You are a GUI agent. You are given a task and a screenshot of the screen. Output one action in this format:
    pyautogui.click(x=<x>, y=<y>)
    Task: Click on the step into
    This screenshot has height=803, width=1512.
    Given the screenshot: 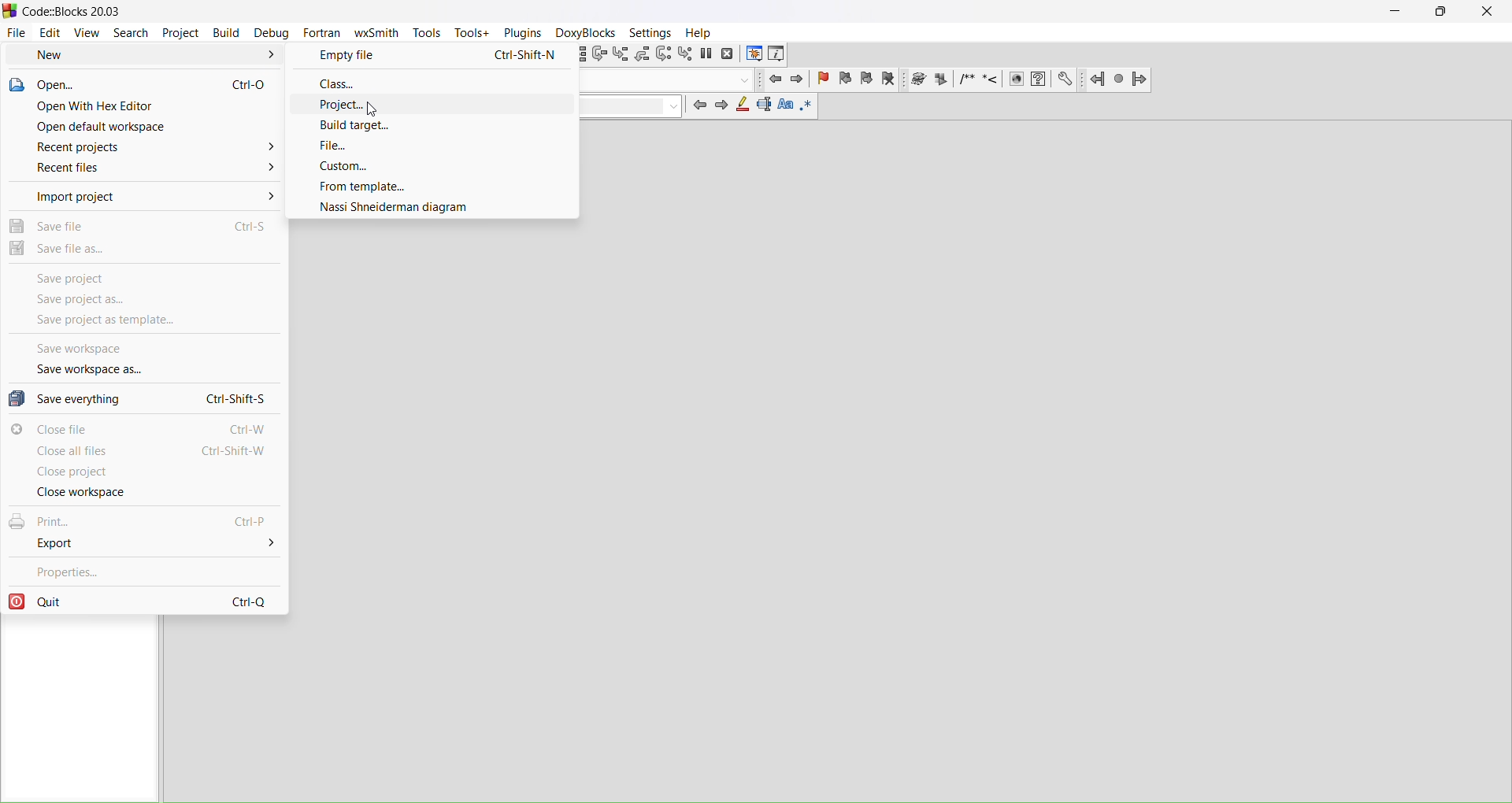 What is the action you would take?
    pyautogui.click(x=621, y=54)
    